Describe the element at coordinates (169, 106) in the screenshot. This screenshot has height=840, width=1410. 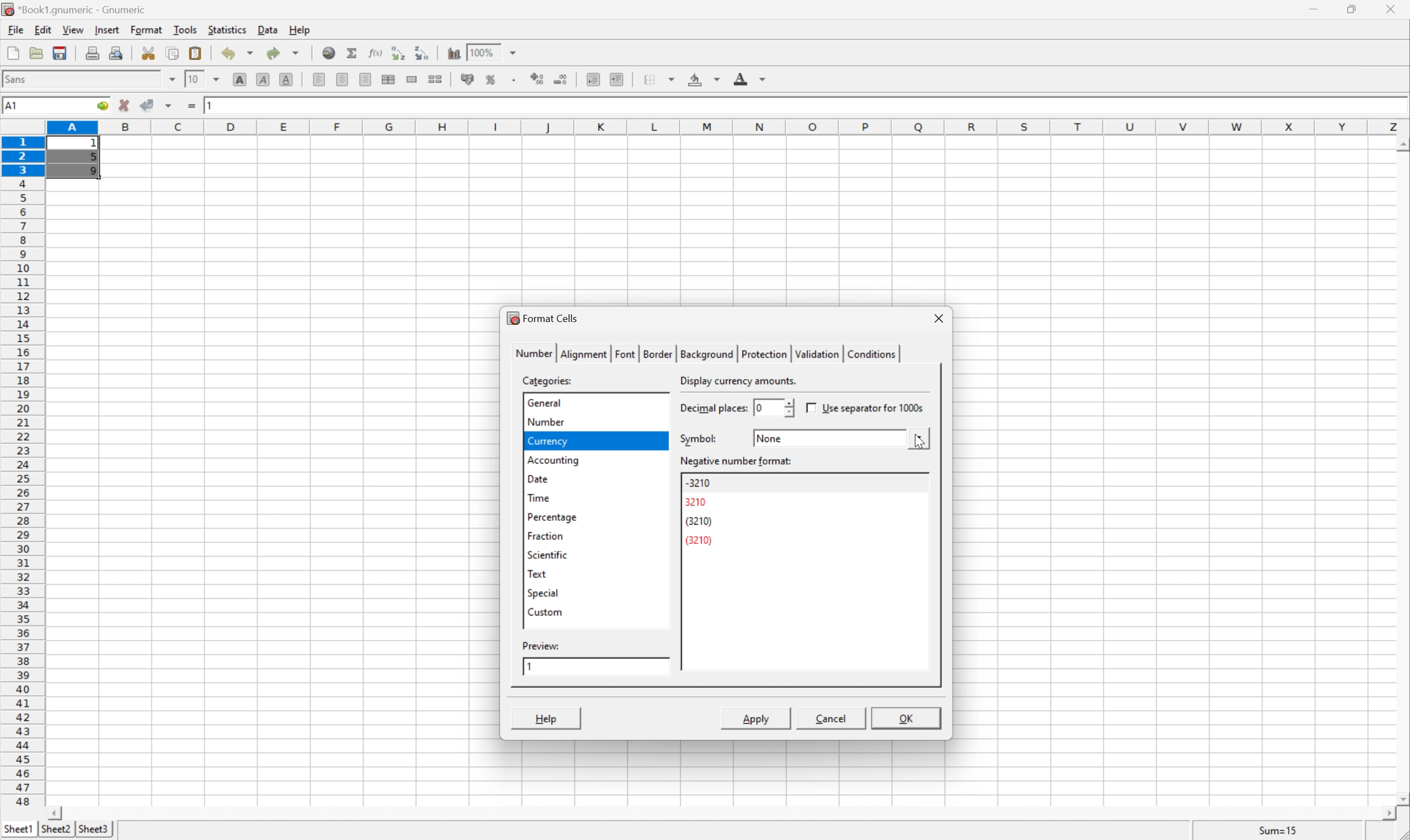
I see `accept changes across all selections` at that location.